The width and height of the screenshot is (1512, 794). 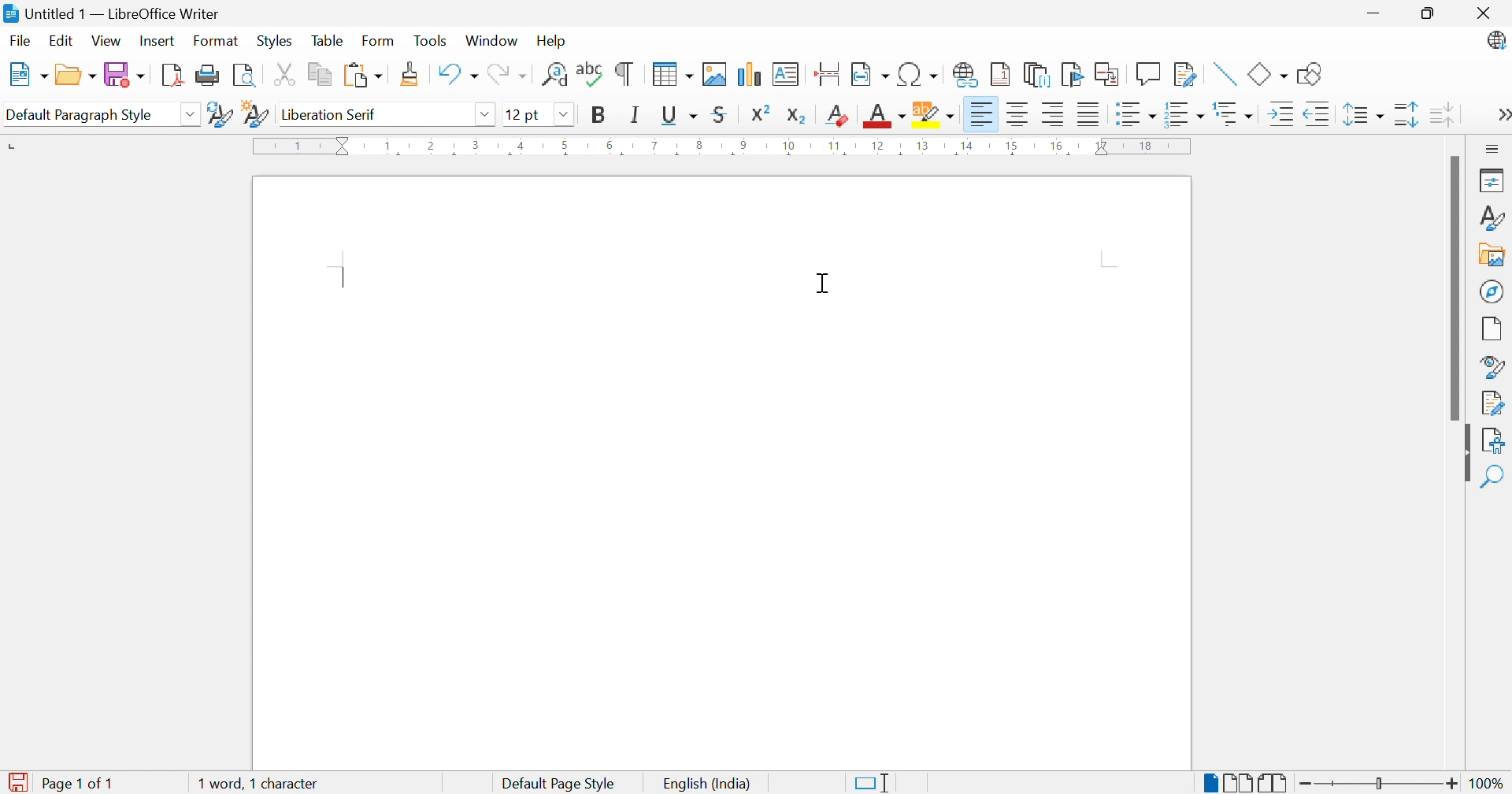 What do you see at coordinates (507, 75) in the screenshot?
I see `Redo` at bounding box center [507, 75].